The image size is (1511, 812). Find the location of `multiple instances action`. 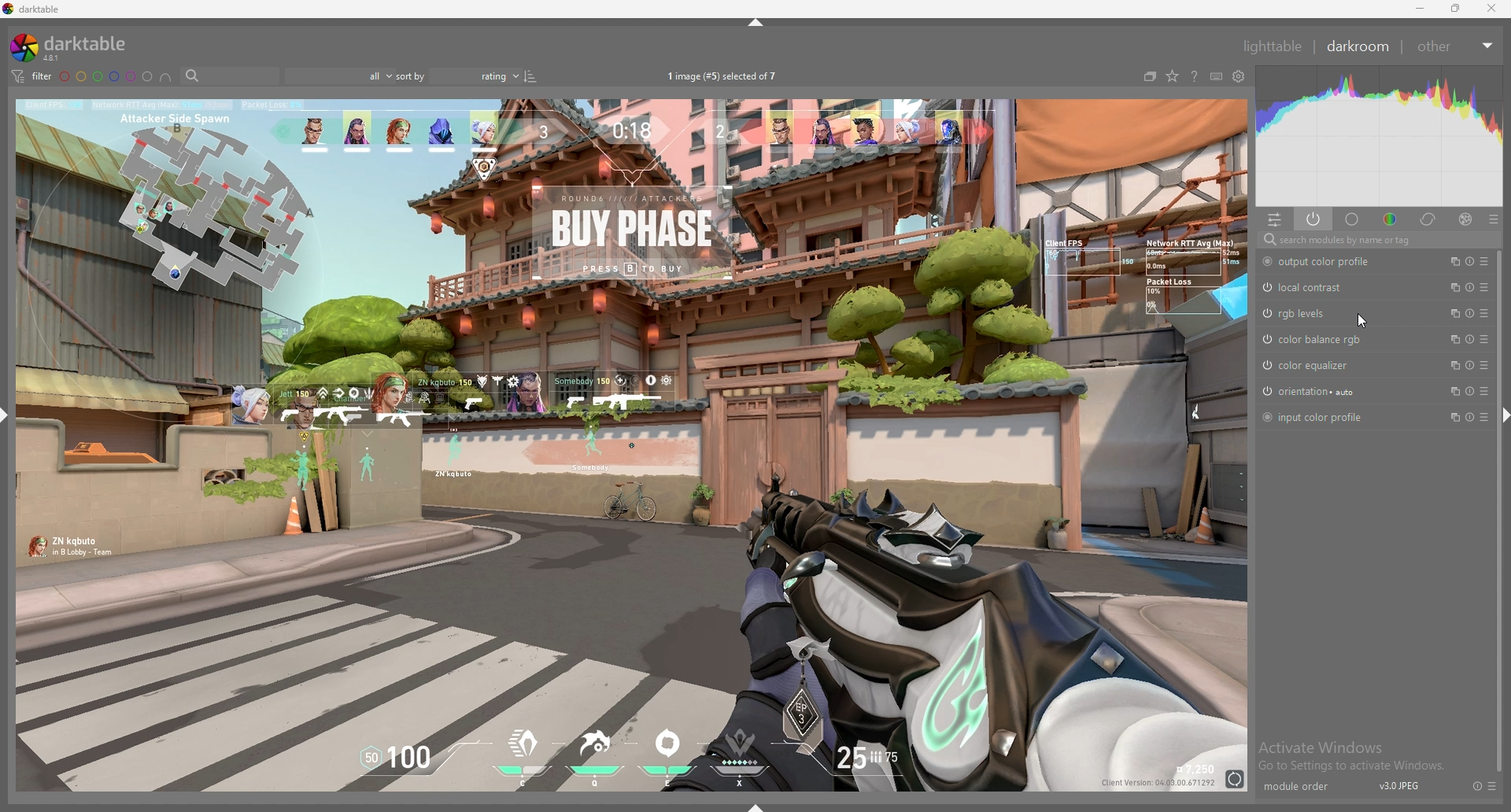

multiple instances action is located at coordinates (1452, 418).